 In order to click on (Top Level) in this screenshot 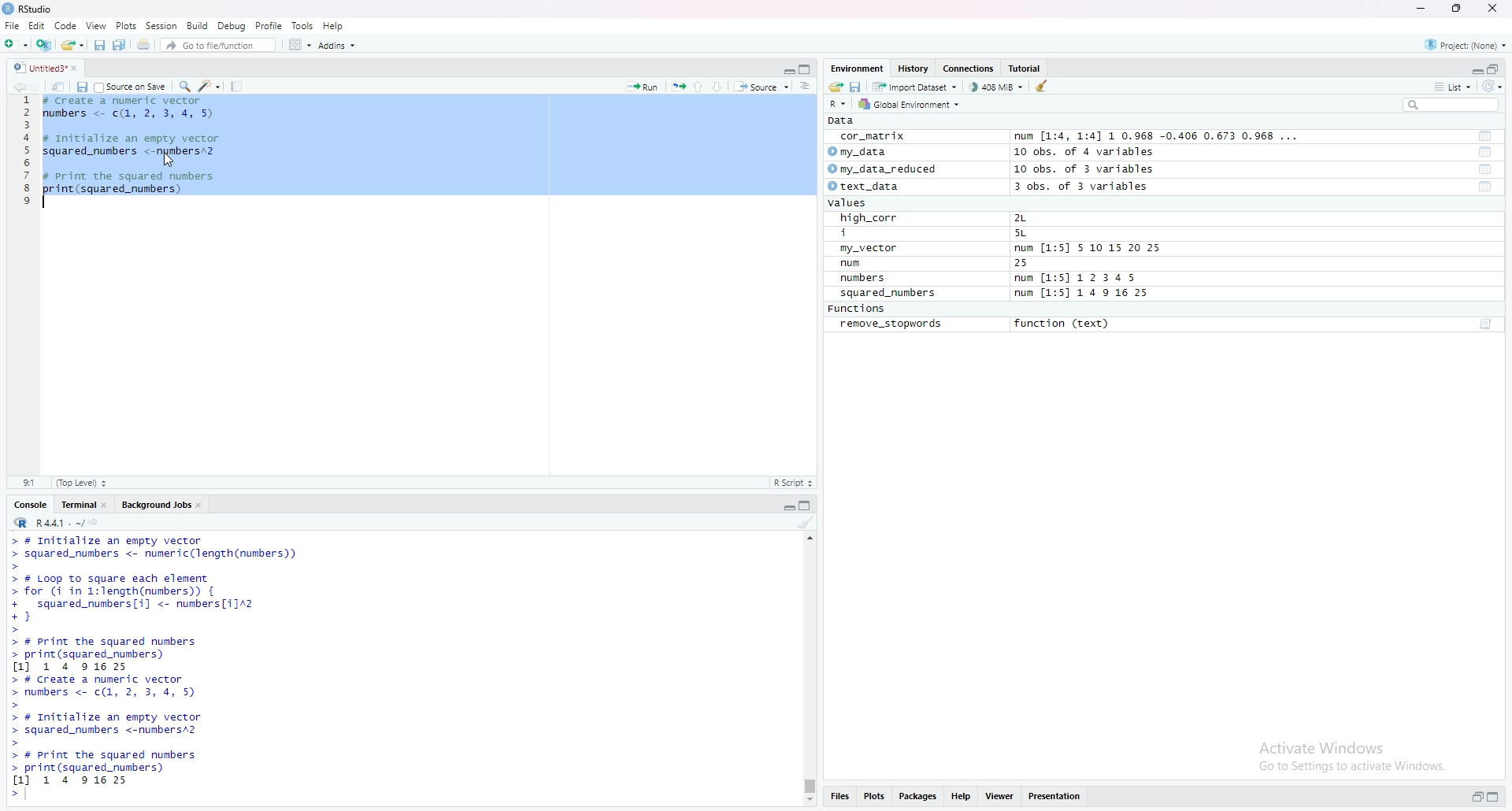, I will do `click(81, 483)`.